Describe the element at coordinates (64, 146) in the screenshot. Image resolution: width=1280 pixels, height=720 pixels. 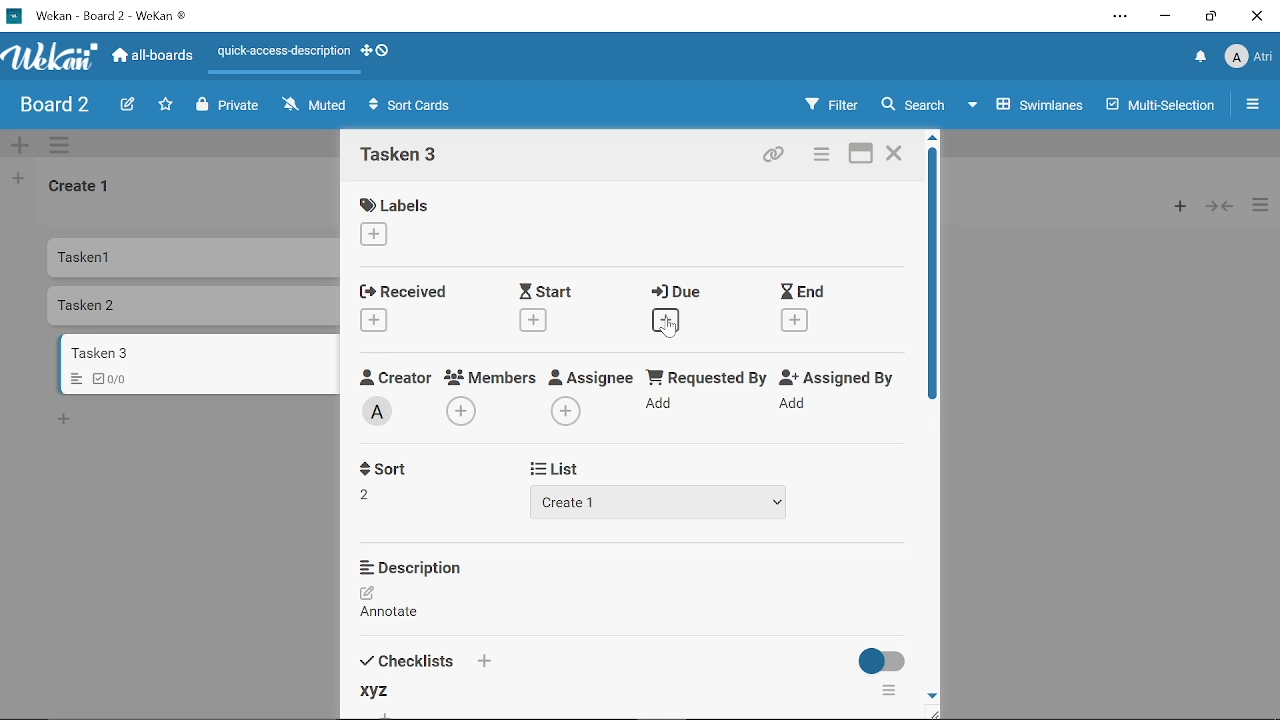
I see `Swimlane actions` at that location.